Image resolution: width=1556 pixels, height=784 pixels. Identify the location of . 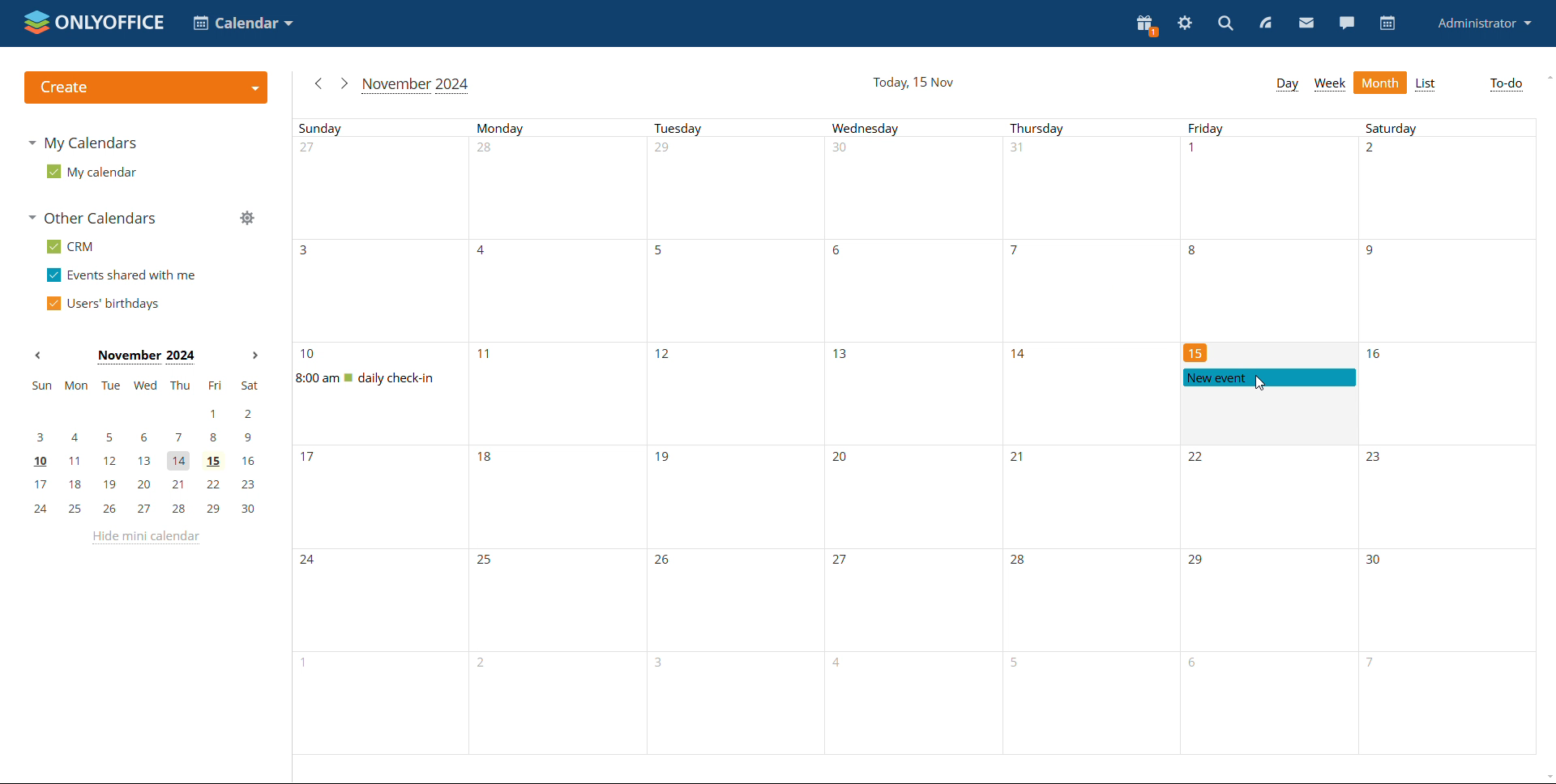
(666, 562).